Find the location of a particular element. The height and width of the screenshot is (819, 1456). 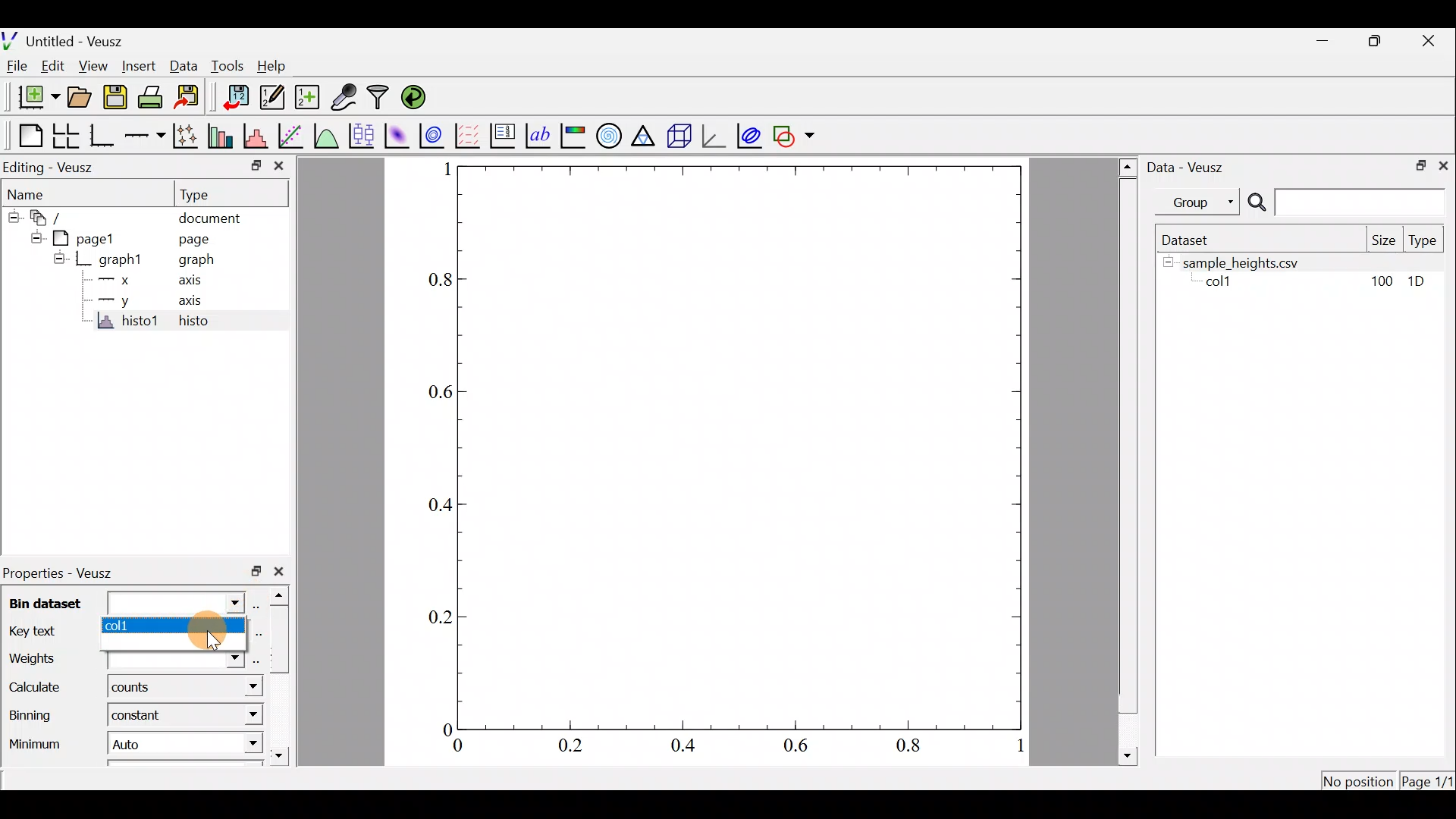

minimize is located at coordinates (1324, 45).